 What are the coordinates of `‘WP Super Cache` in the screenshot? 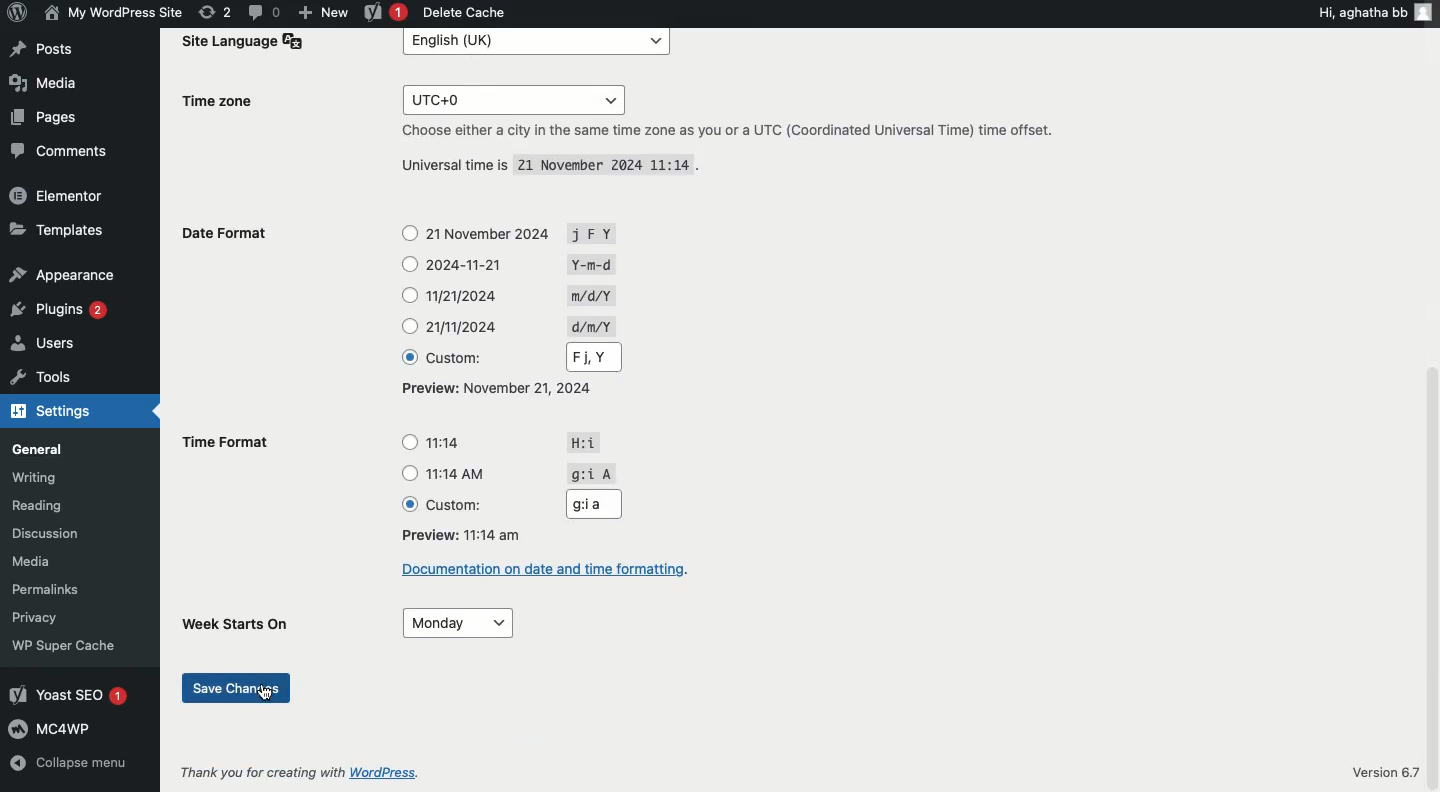 It's located at (62, 647).